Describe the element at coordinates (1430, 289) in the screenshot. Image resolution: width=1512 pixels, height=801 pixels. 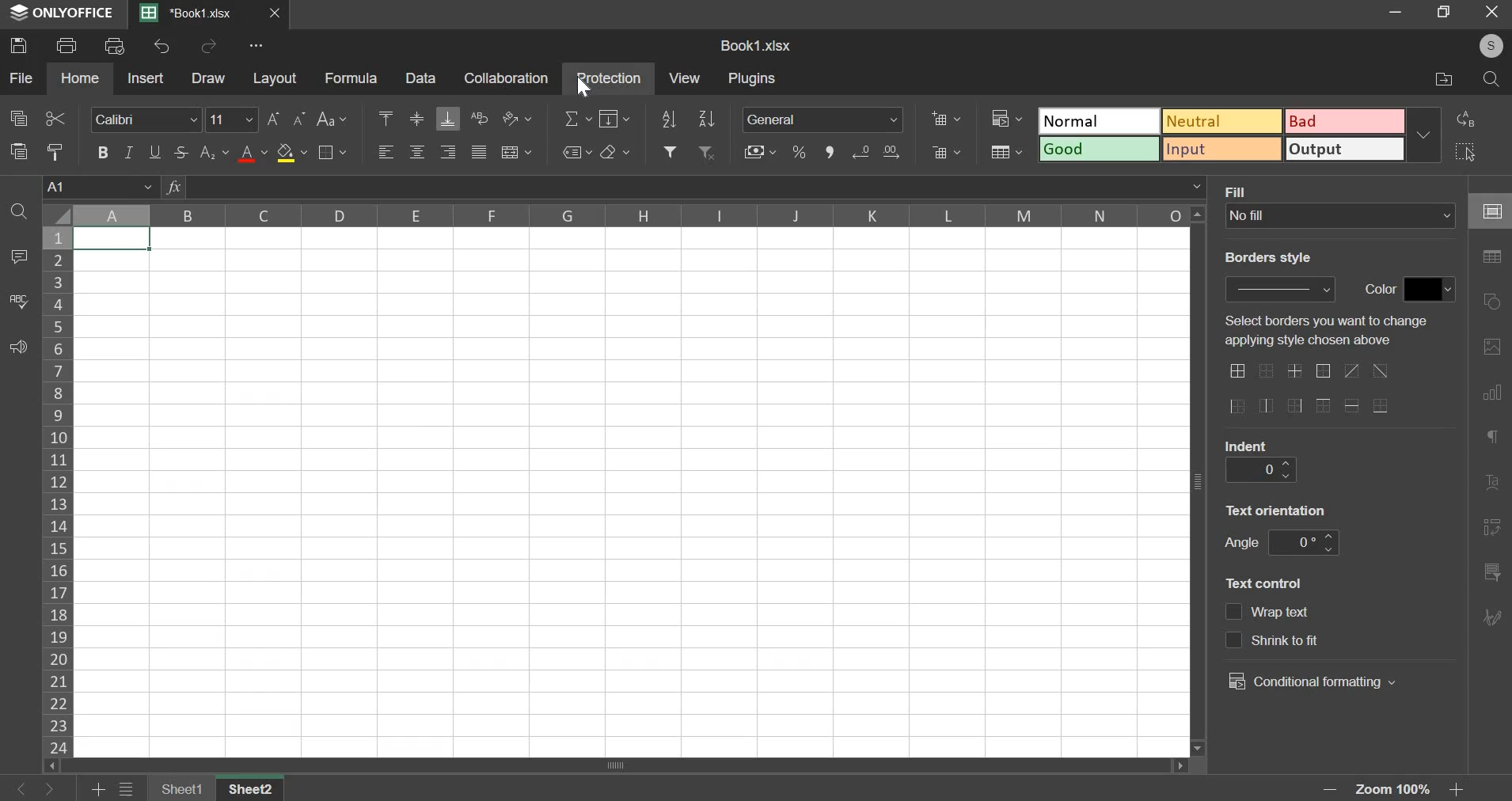
I see `fill color` at that location.